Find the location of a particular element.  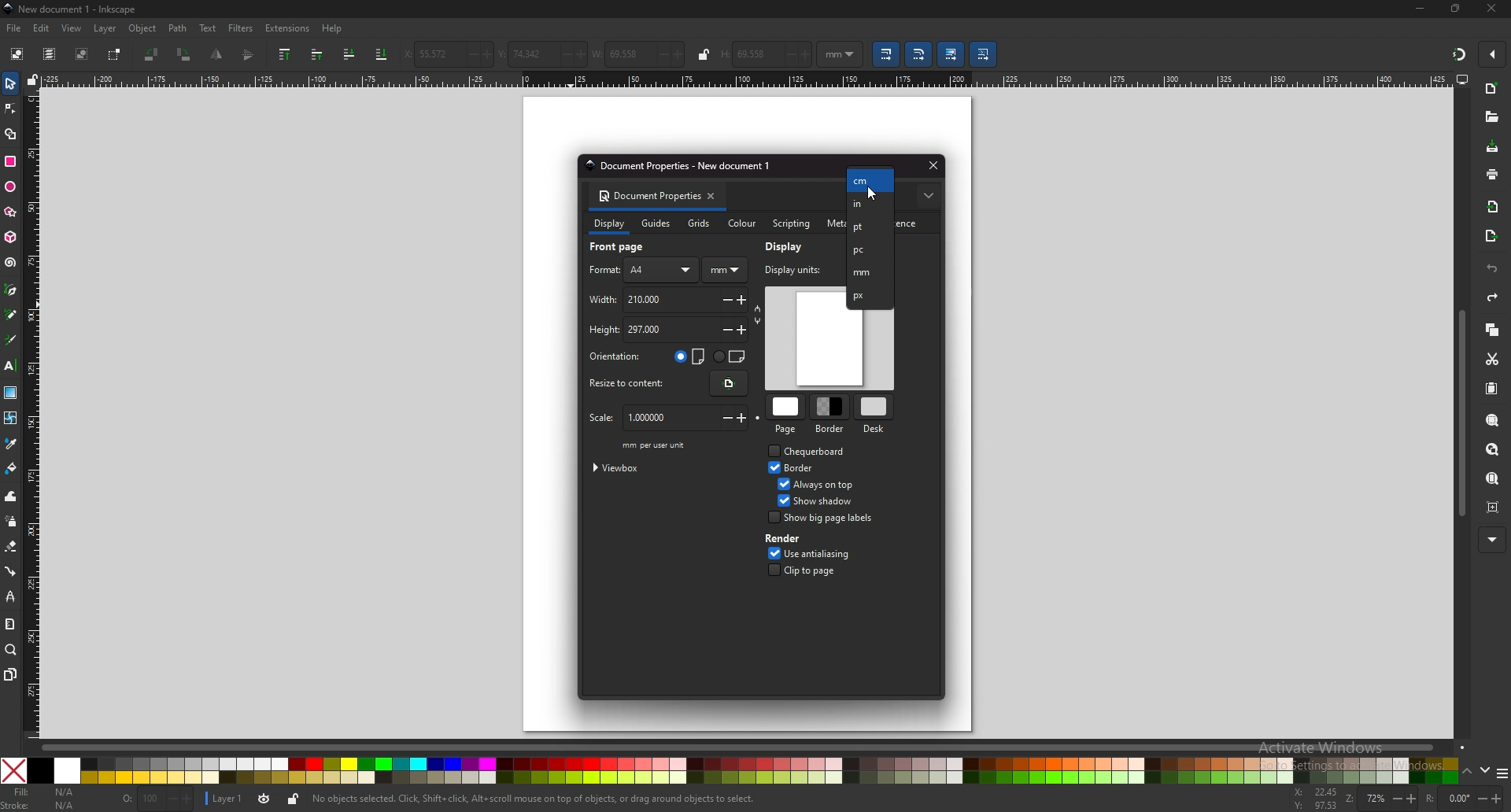

raise selection to top is located at coordinates (285, 54).